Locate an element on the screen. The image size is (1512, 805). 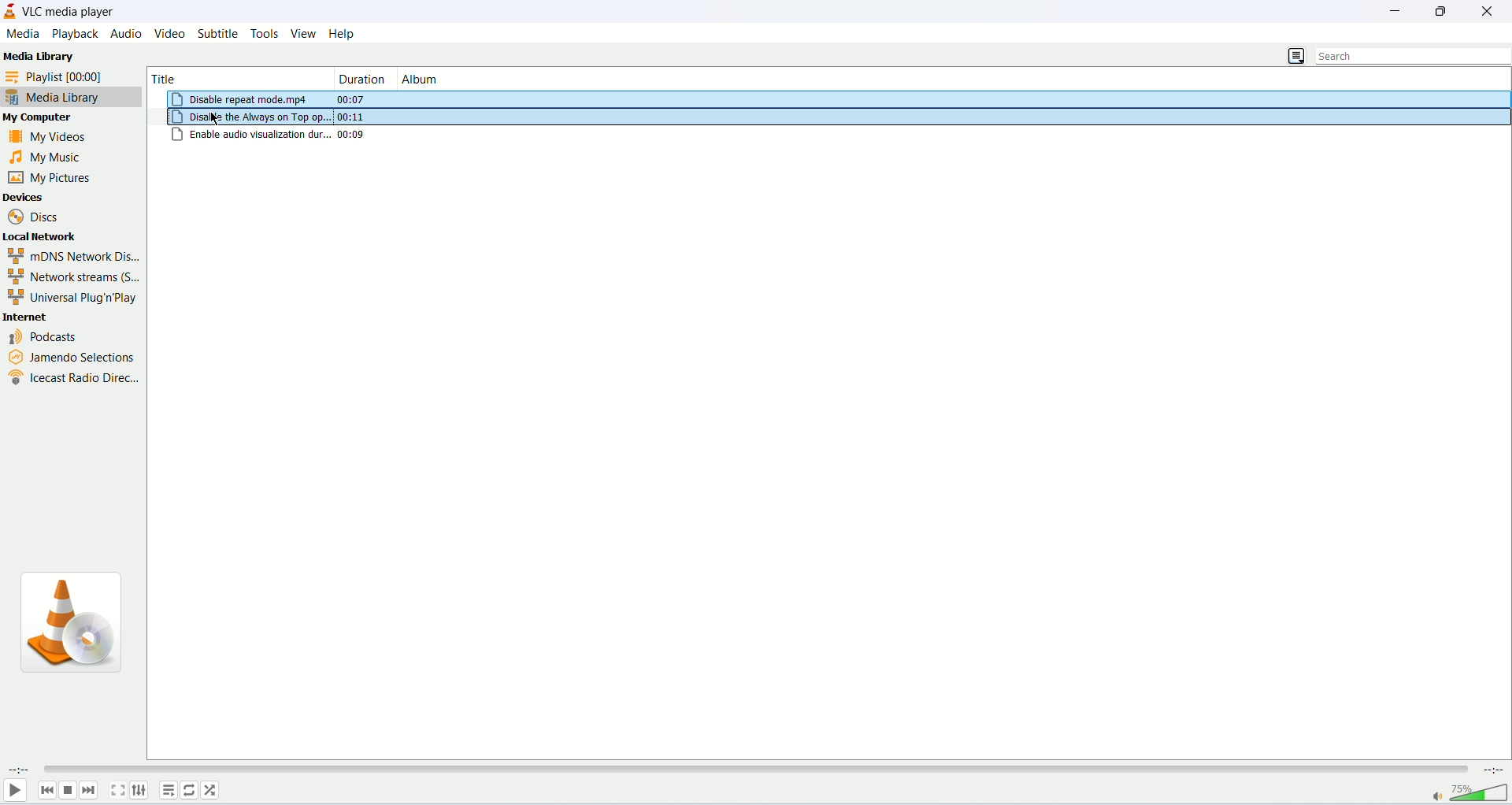
play is located at coordinates (13, 791).